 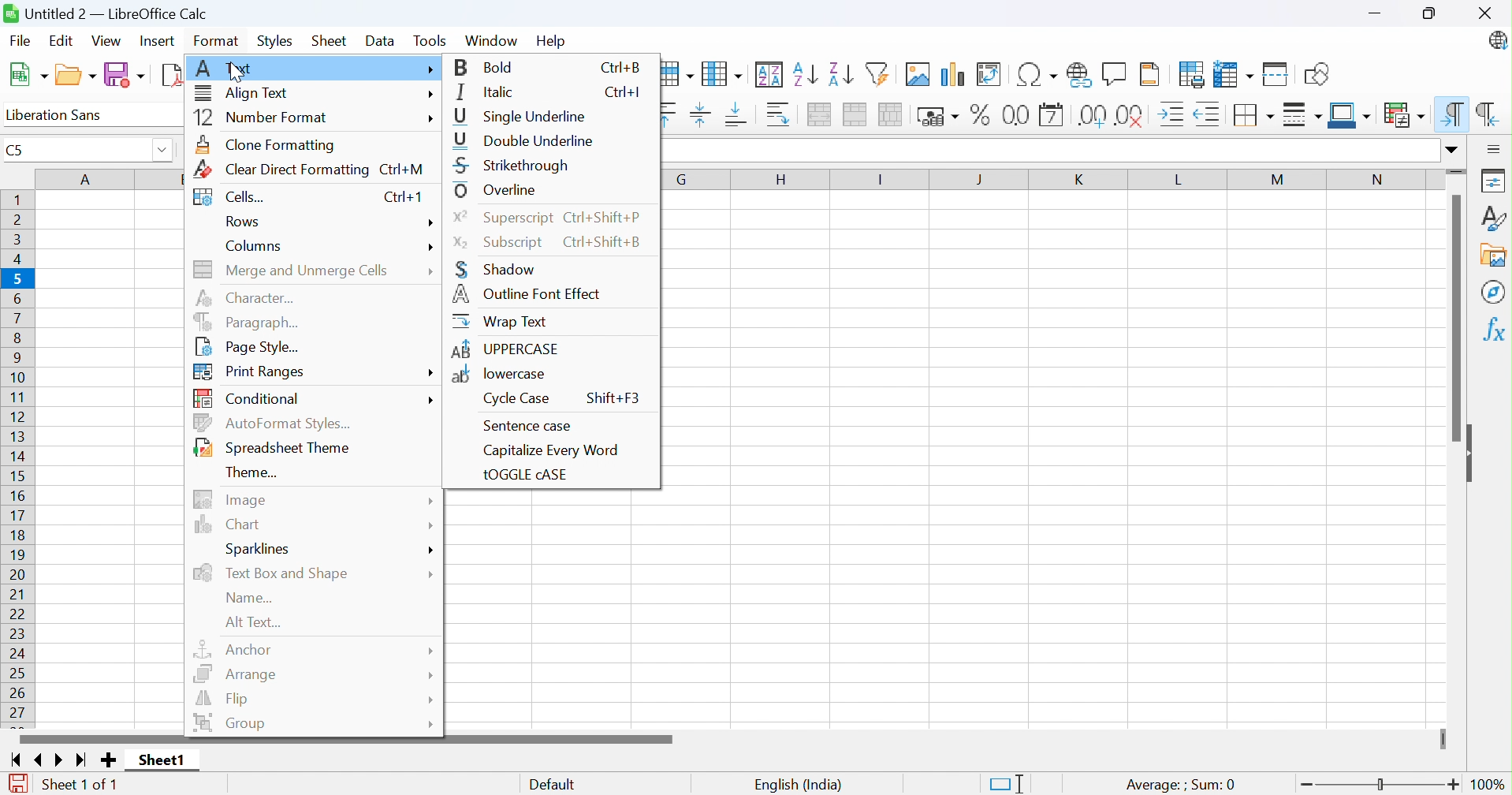 What do you see at coordinates (95, 116) in the screenshot?
I see `Font name` at bounding box center [95, 116].